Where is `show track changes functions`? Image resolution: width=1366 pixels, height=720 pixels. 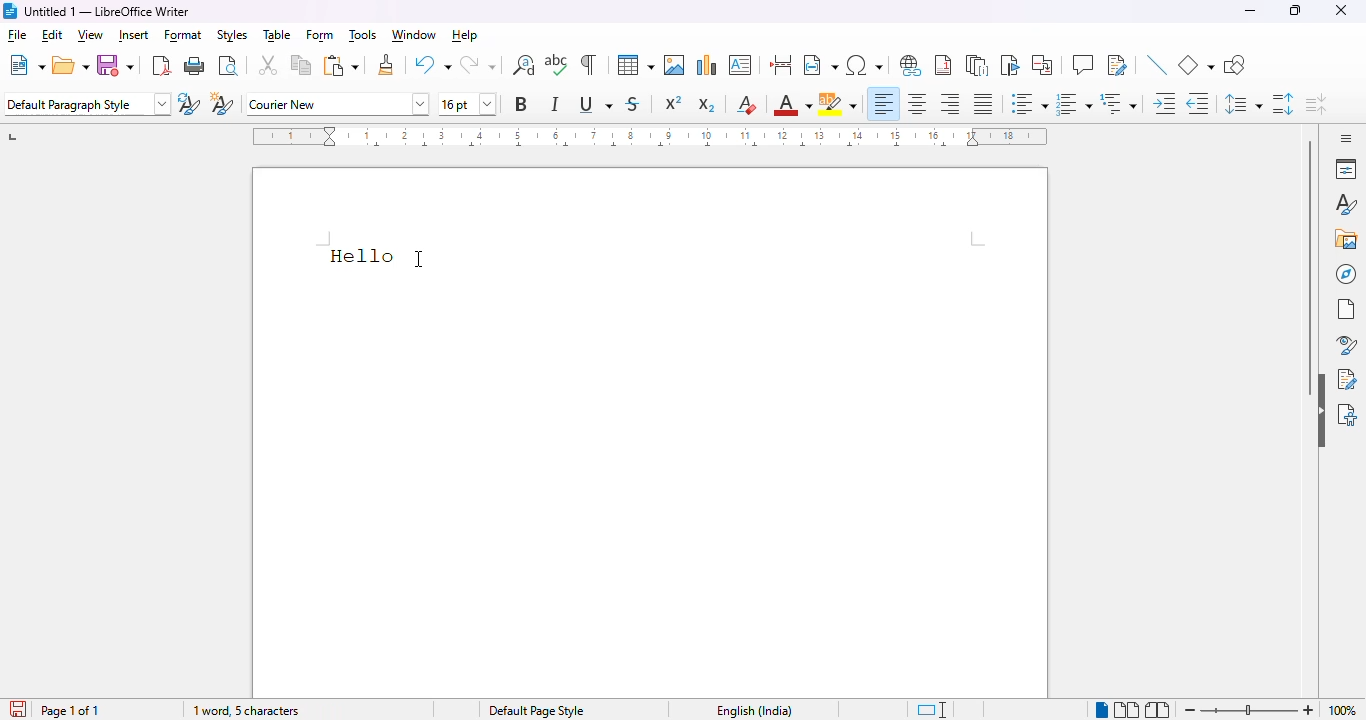 show track changes functions is located at coordinates (1118, 65).